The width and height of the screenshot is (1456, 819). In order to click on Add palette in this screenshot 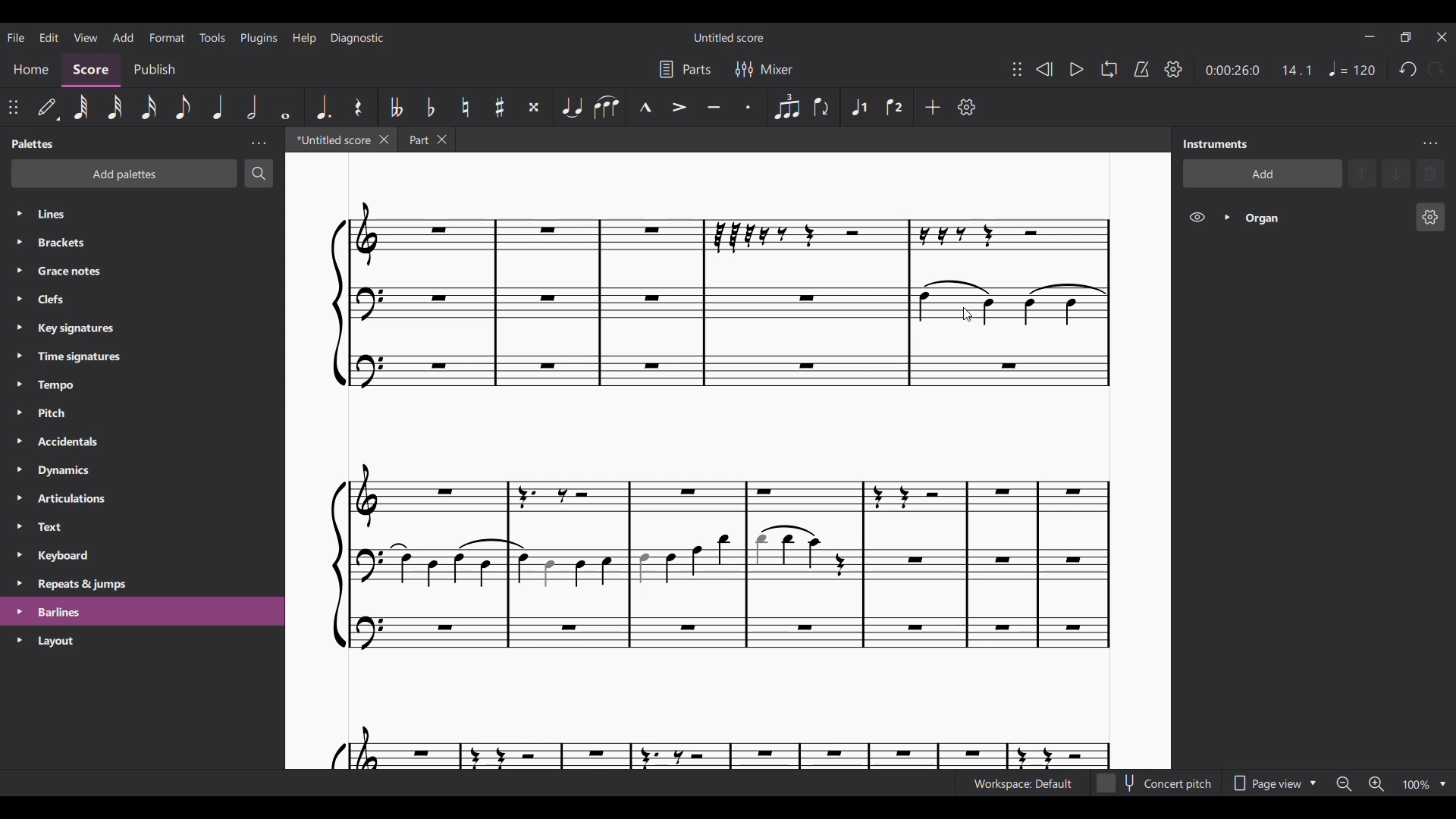, I will do `click(124, 174)`.